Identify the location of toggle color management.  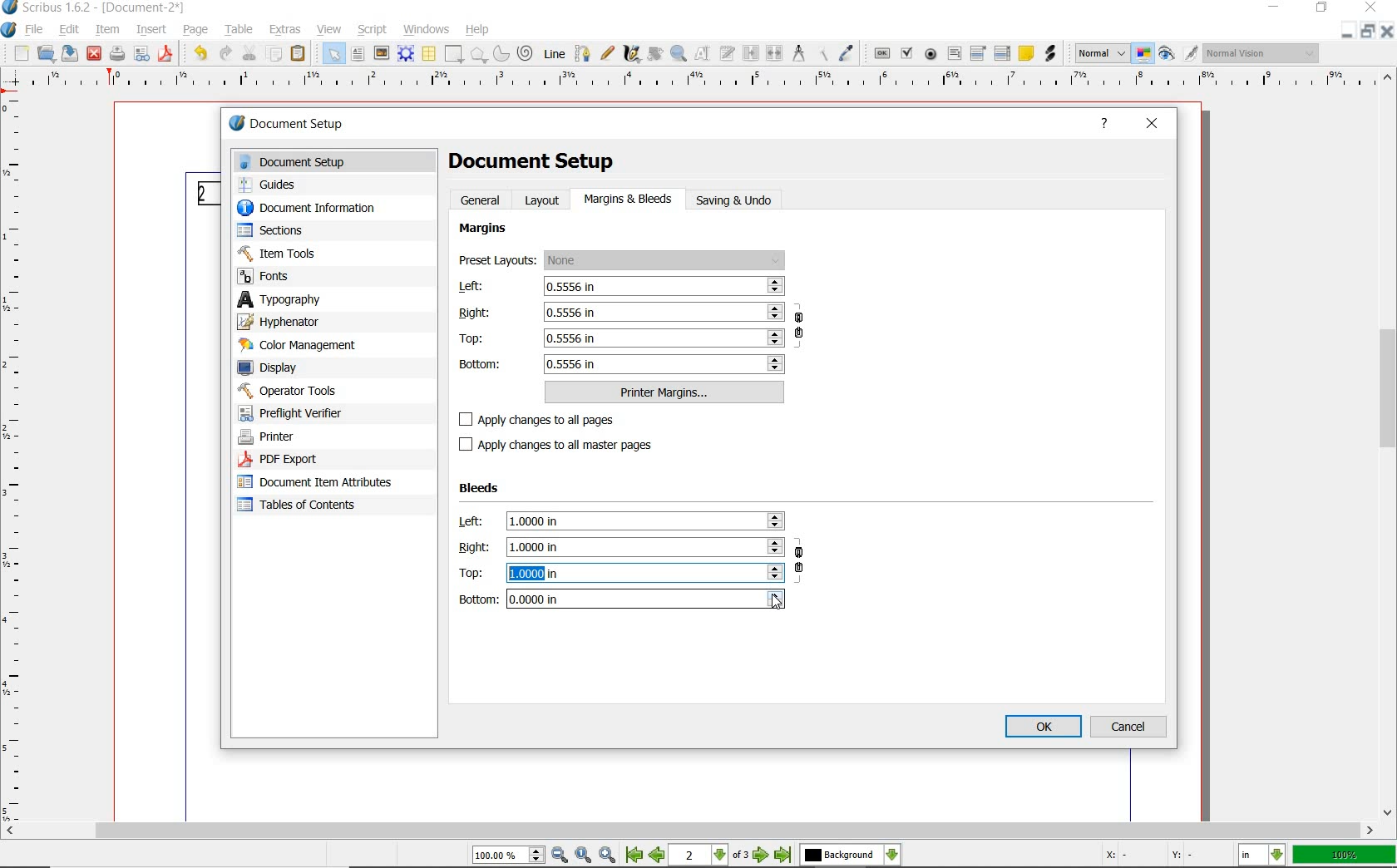
(1144, 56).